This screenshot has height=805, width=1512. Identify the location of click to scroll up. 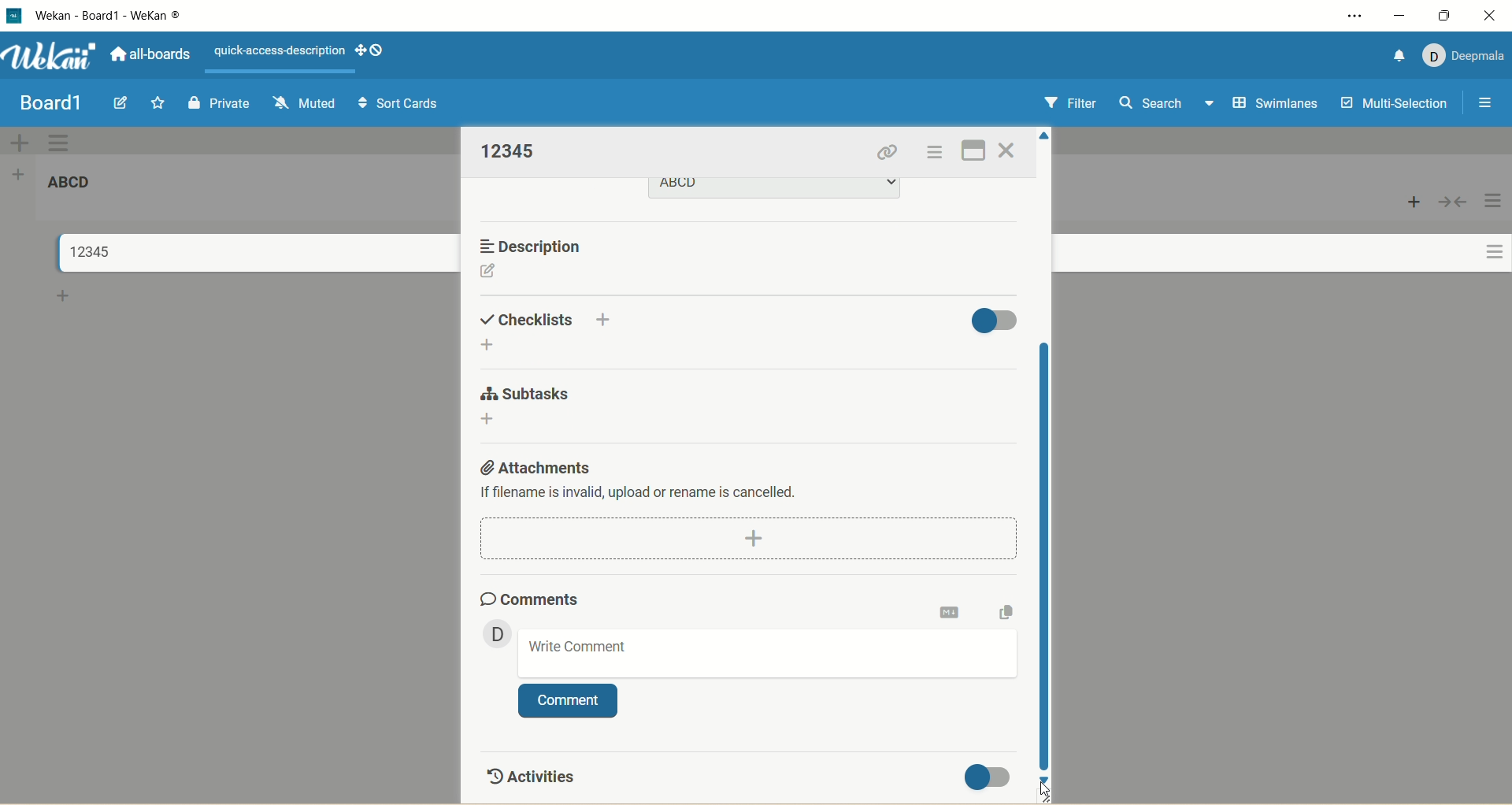
(1047, 133).